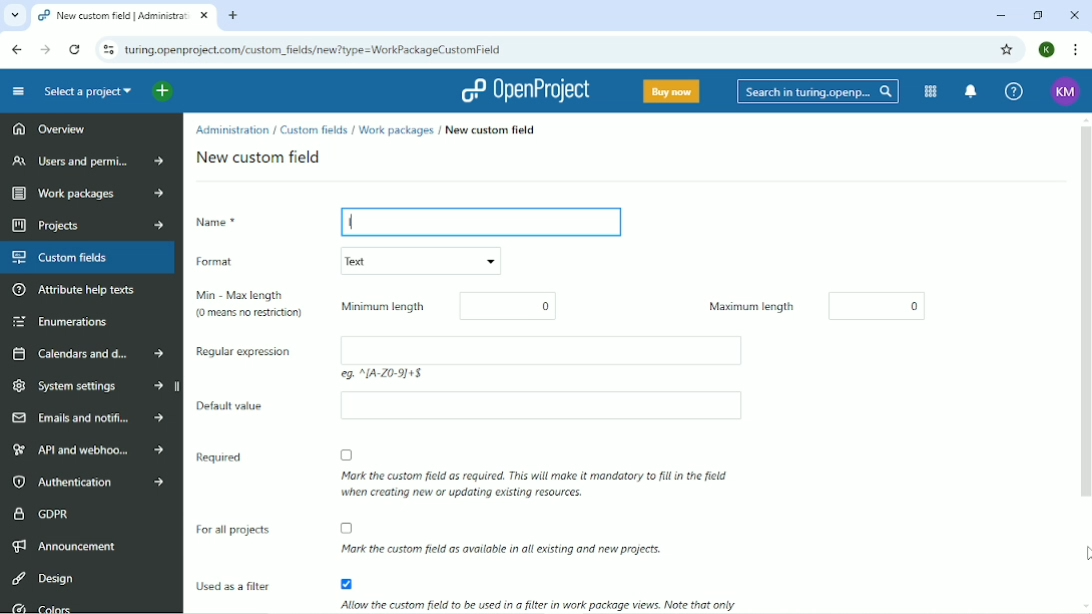 Image resolution: width=1092 pixels, height=614 pixels. What do you see at coordinates (18, 91) in the screenshot?
I see `Collapse project menu` at bounding box center [18, 91].